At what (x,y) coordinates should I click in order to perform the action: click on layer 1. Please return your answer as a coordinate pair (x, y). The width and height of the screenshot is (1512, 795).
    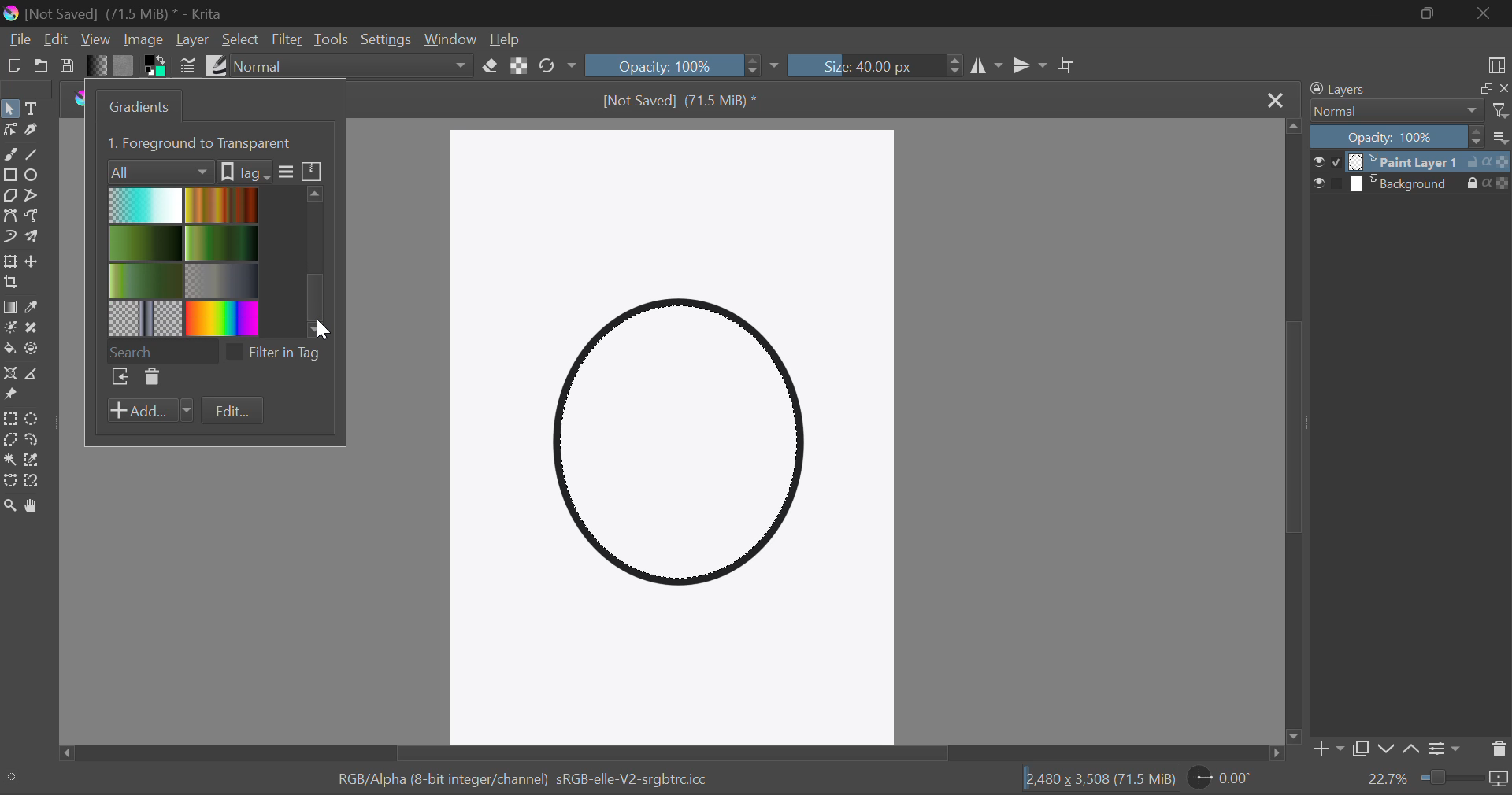
    Looking at the image, I should click on (1405, 162).